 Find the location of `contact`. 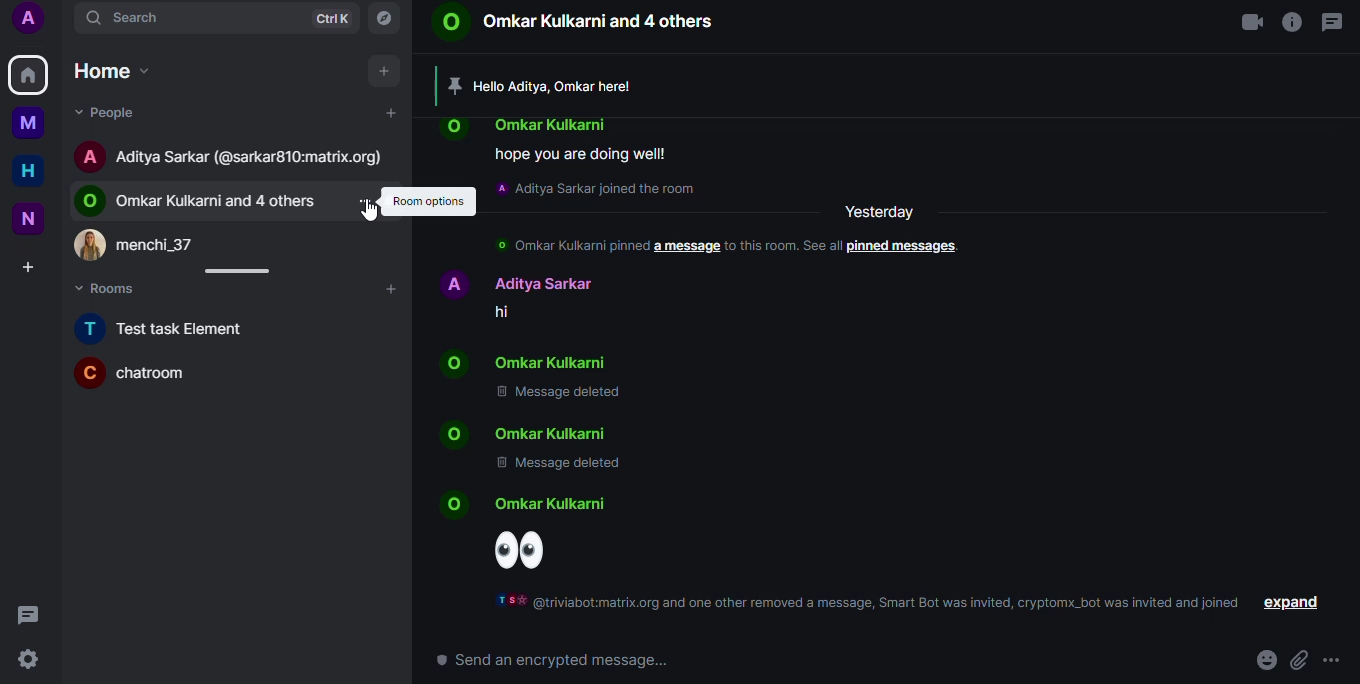

contact is located at coordinates (515, 282).